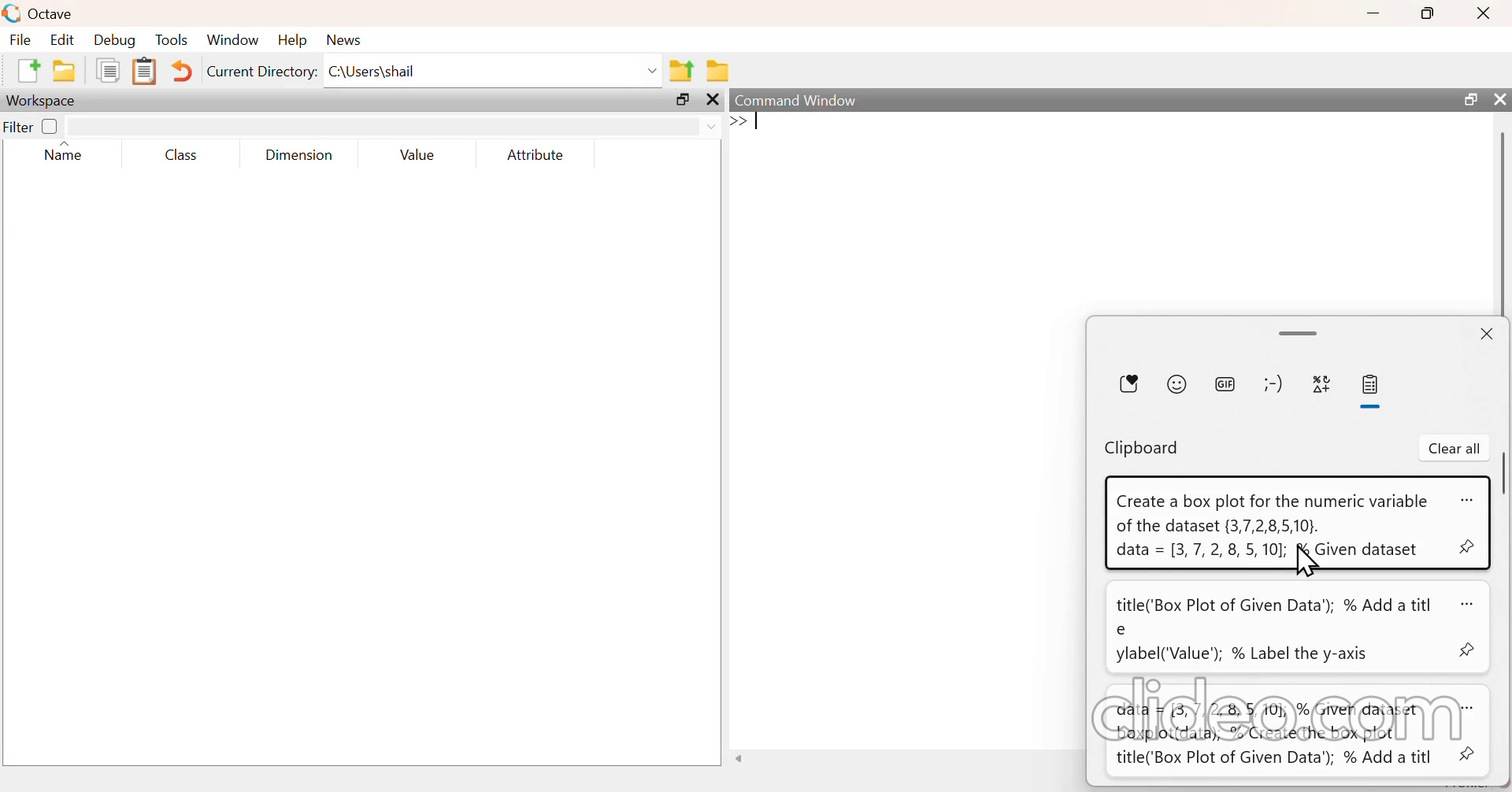  Describe the element at coordinates (10, 13) in the screenshot. I see `logo` at that location.